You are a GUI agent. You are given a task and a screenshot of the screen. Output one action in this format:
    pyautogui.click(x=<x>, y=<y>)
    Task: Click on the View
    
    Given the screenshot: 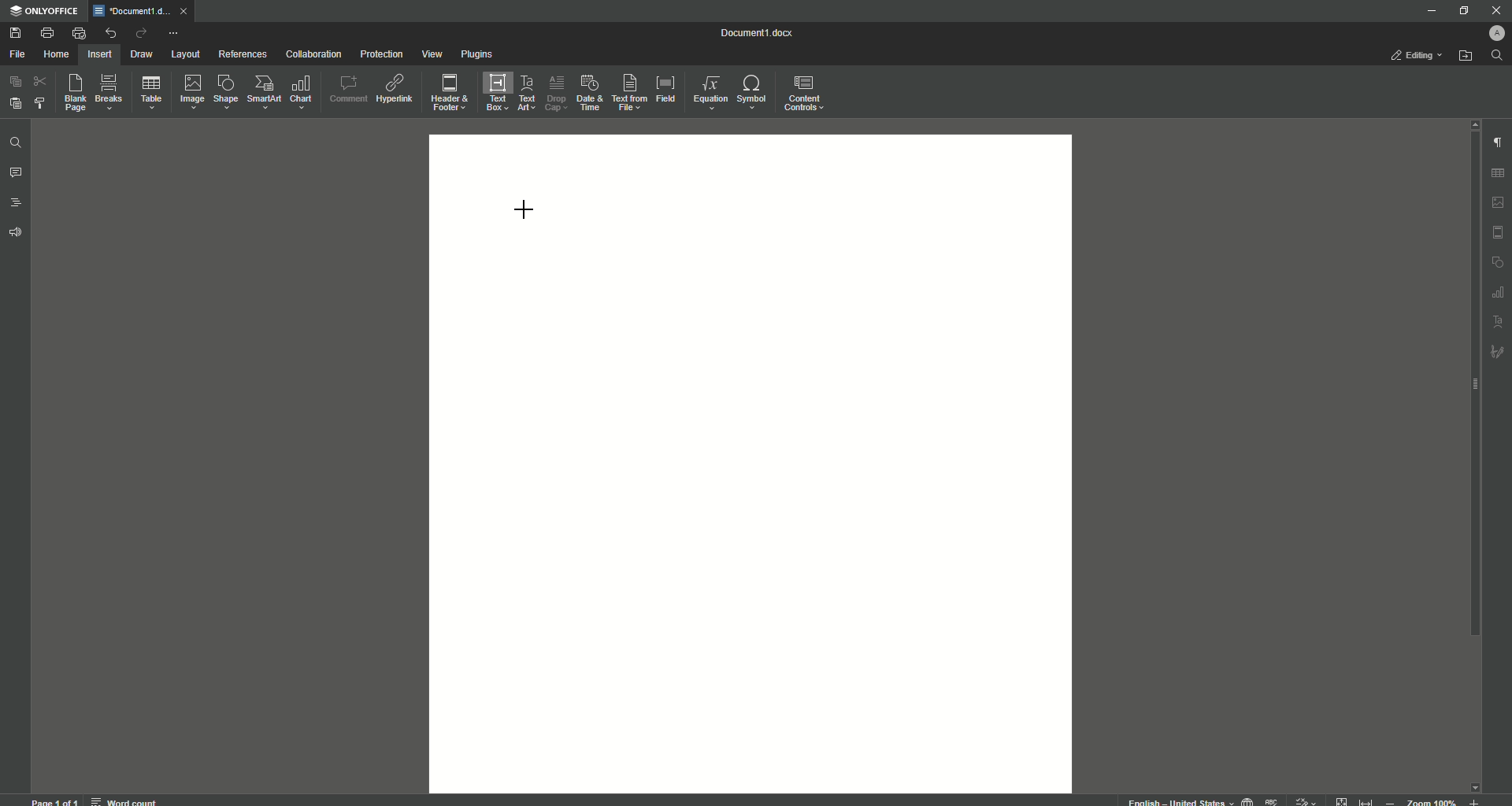 What is the action you would take?
    pyautogui.click(x=431, y=55)
    